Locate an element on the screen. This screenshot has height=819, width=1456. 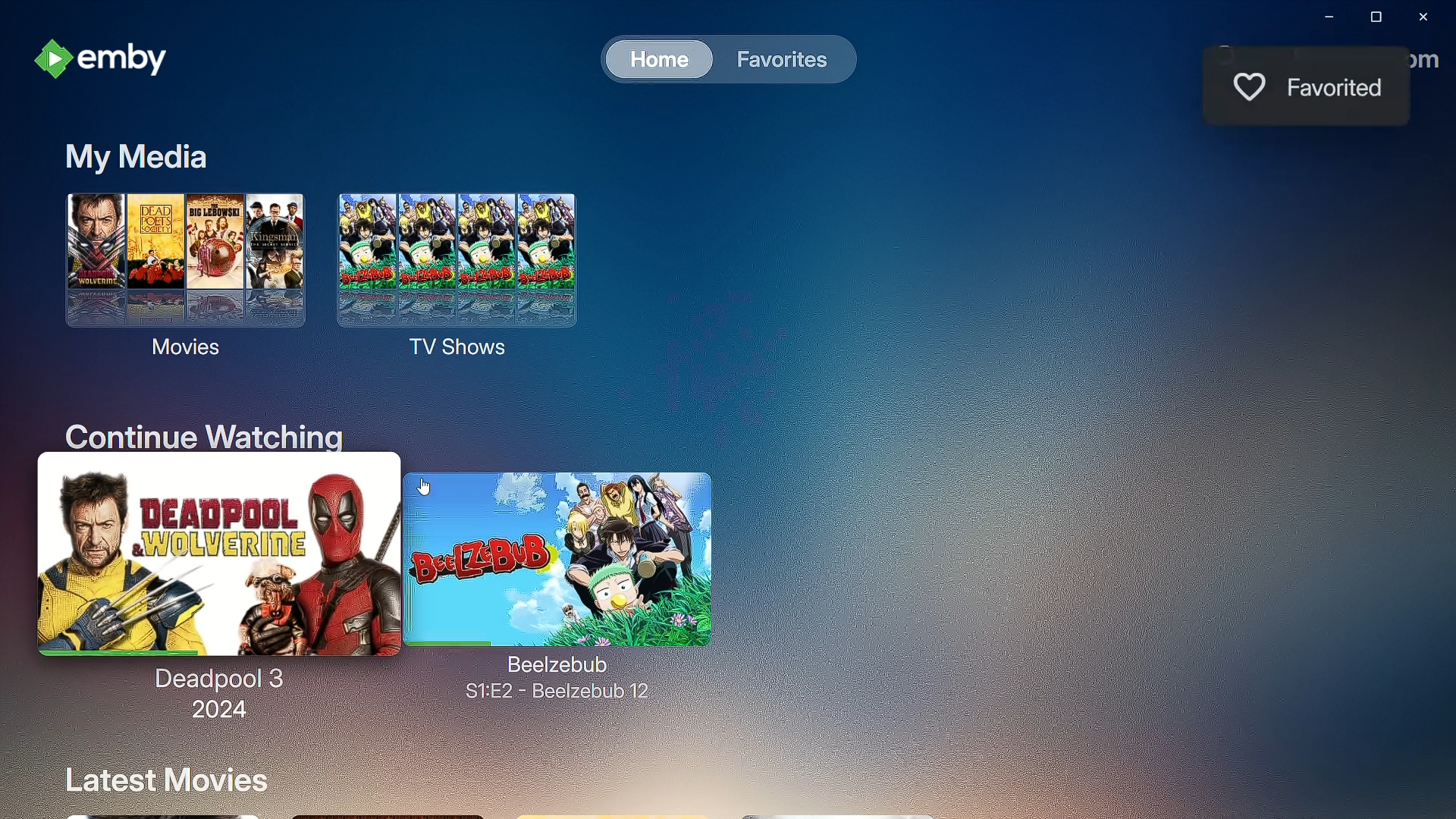
2024 is located at coordinates (212, 708).